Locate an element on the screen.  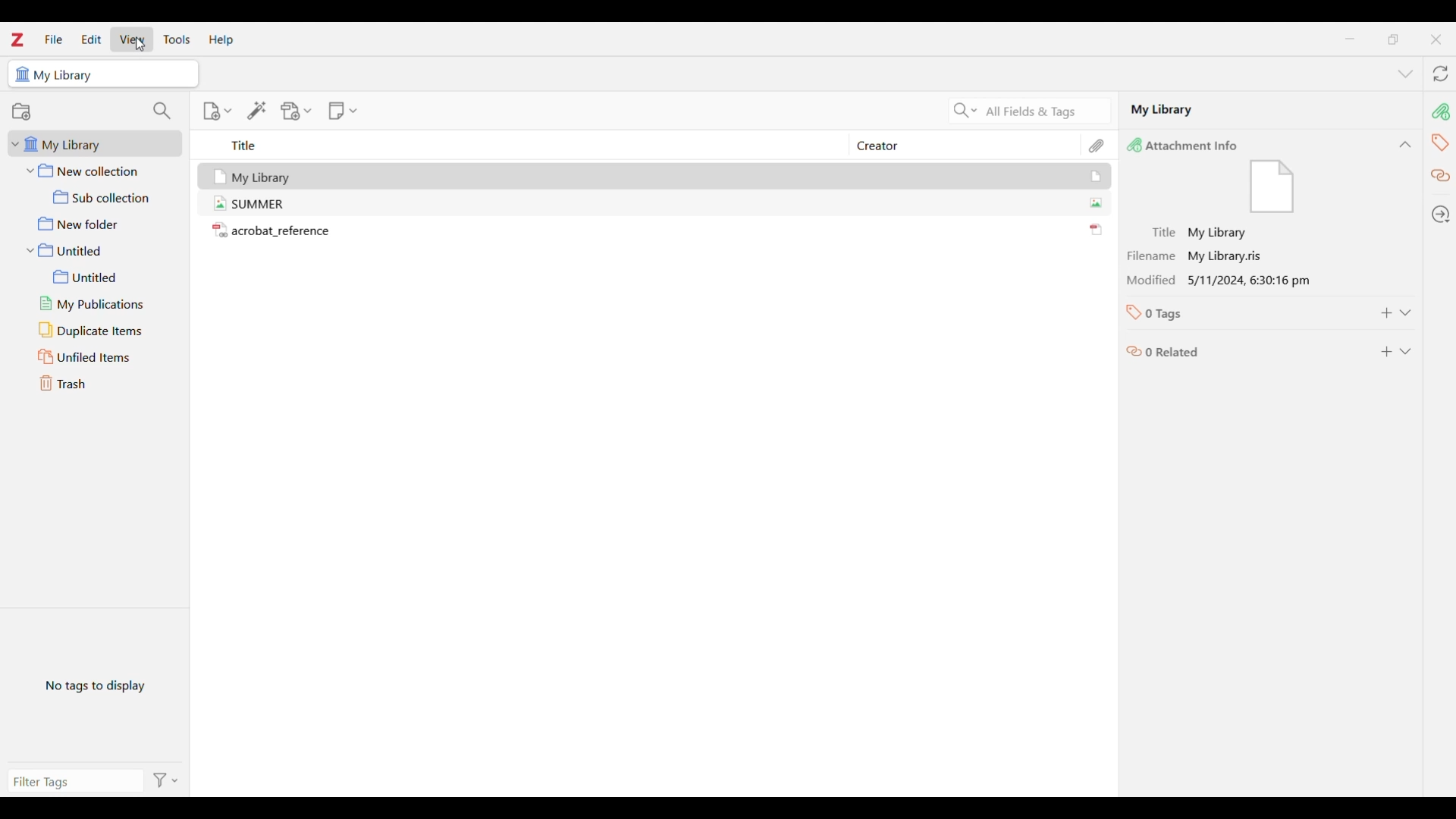
Attachments  is located at coordinates (1097, 144).